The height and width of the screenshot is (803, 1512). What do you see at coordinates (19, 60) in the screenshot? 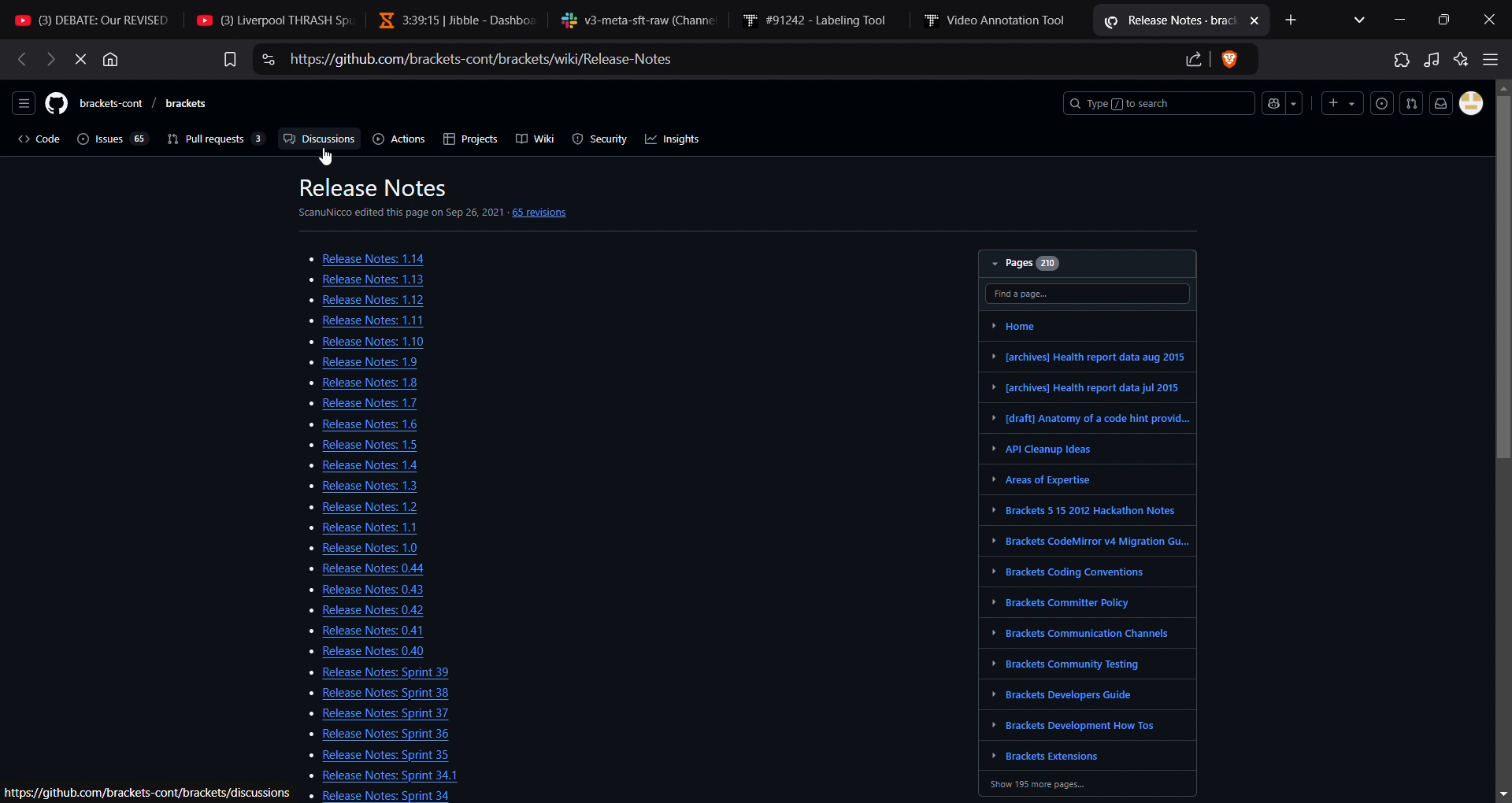
I see `navigate forward` at bounding box center [19, 60].